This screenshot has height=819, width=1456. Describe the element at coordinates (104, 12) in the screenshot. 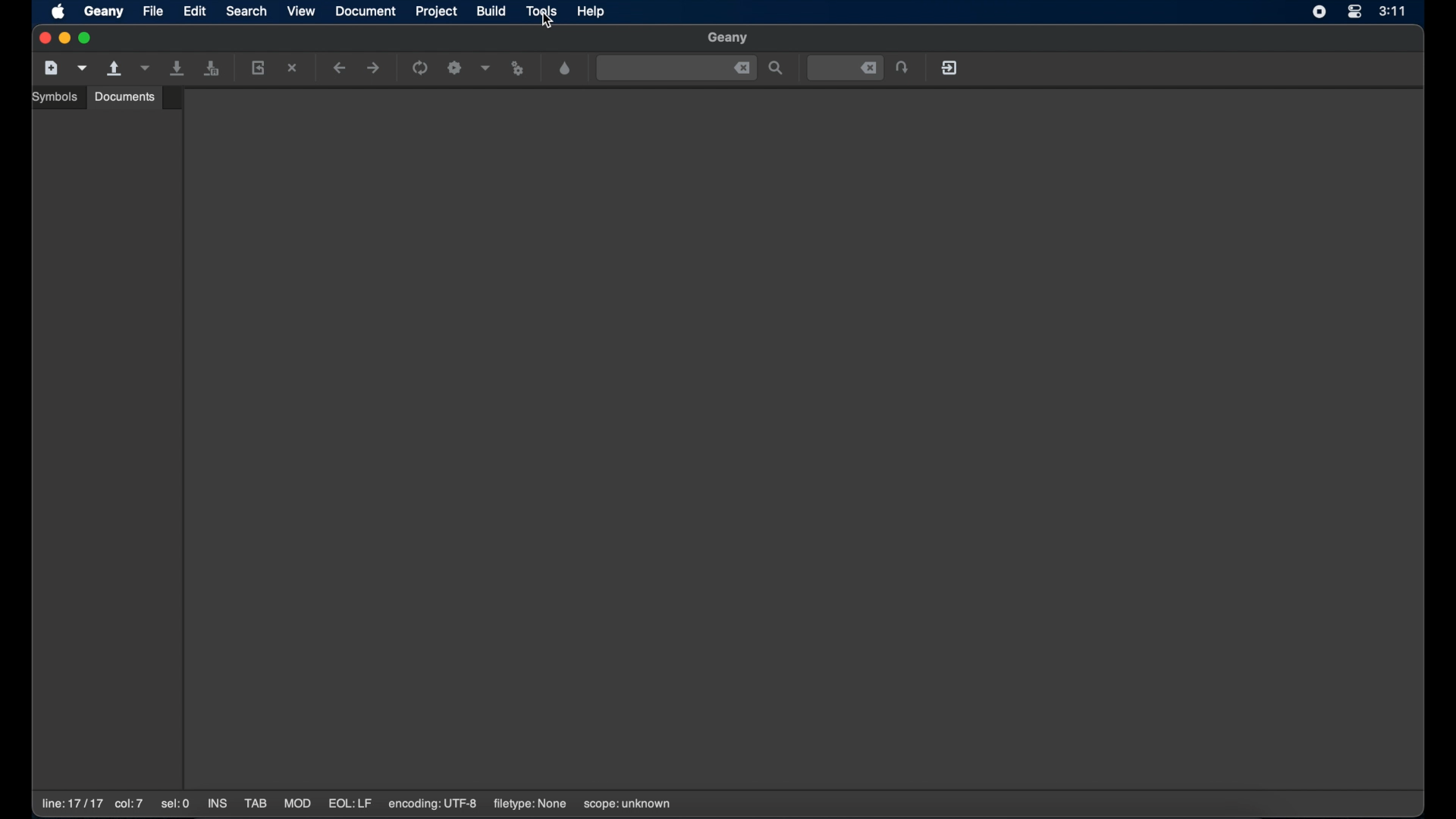

I see `geany` at that location.